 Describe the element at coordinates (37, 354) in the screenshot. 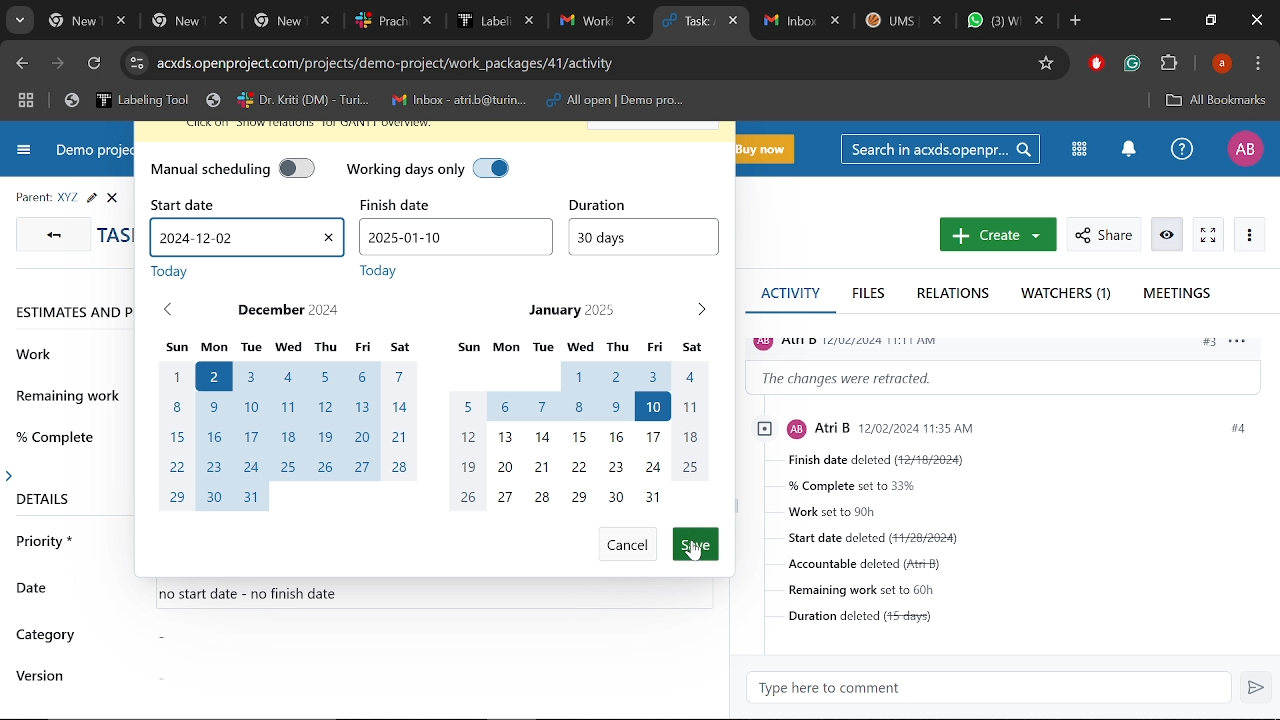

I see `work` at that location.